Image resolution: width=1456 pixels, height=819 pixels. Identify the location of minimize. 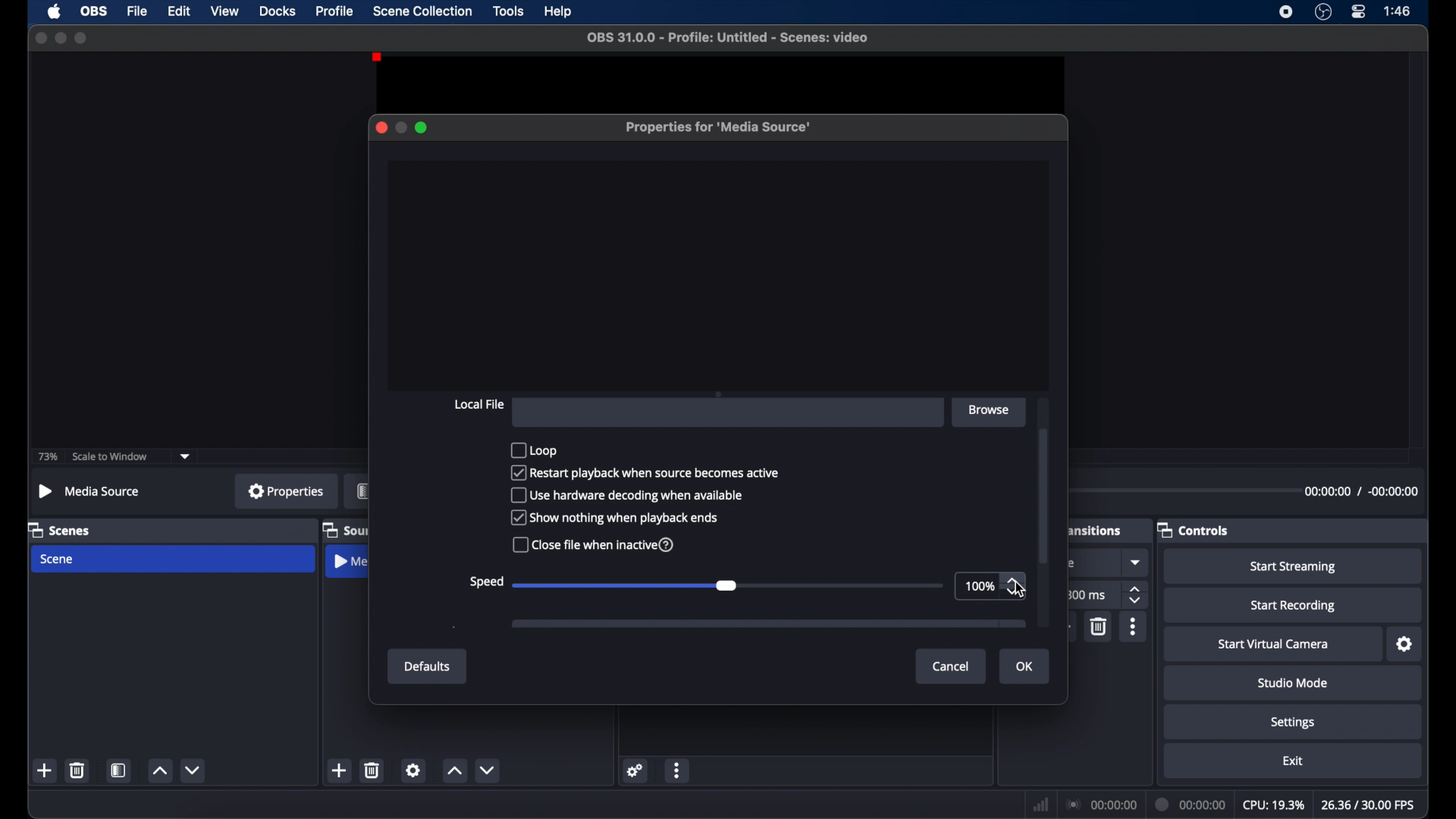
(60, 38).